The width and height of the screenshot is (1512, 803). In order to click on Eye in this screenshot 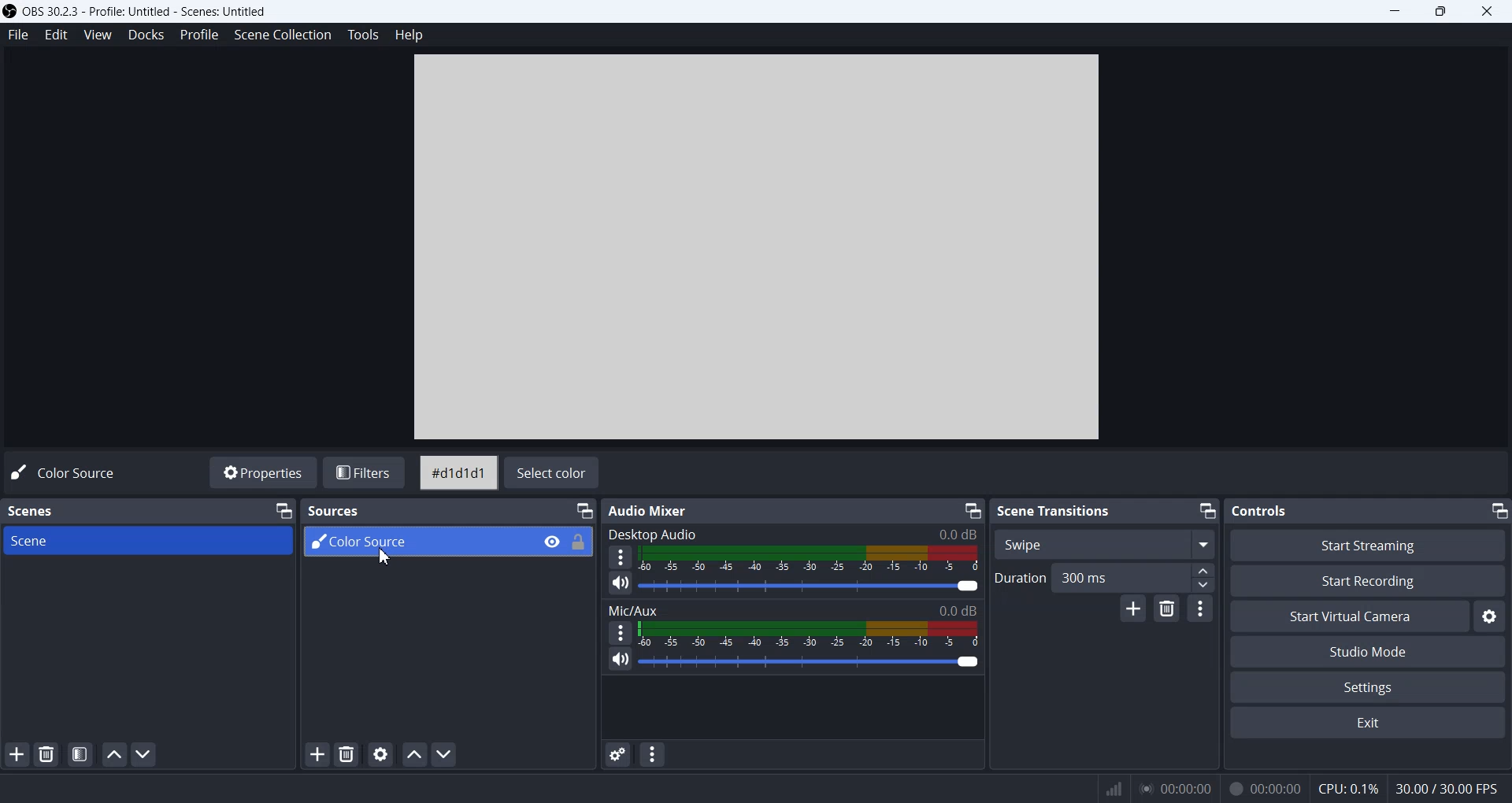, I will do `click(553, 542)`.